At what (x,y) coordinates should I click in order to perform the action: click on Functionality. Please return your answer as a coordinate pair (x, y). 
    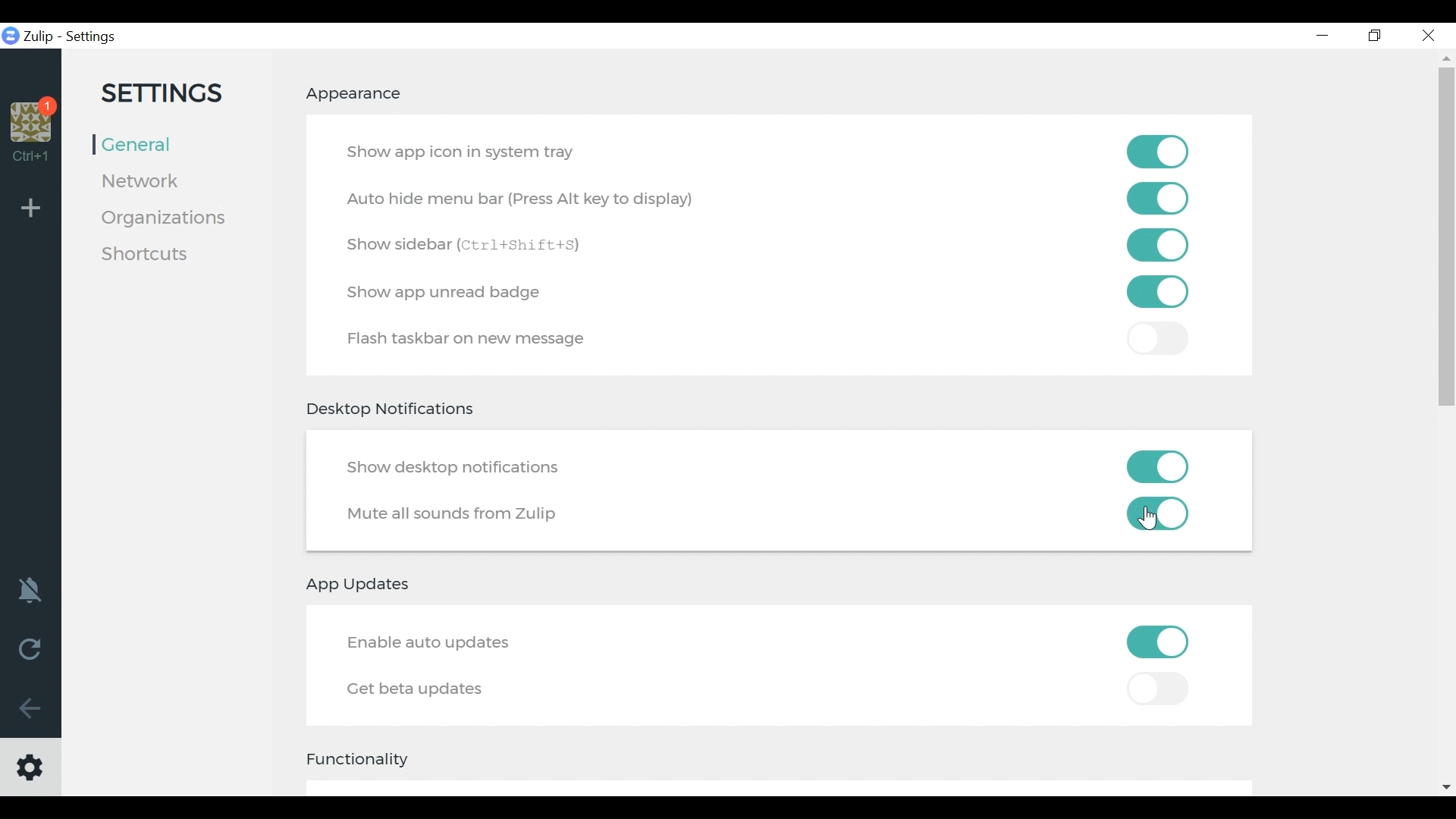
    Looking at the image, I should click on (366, 758).